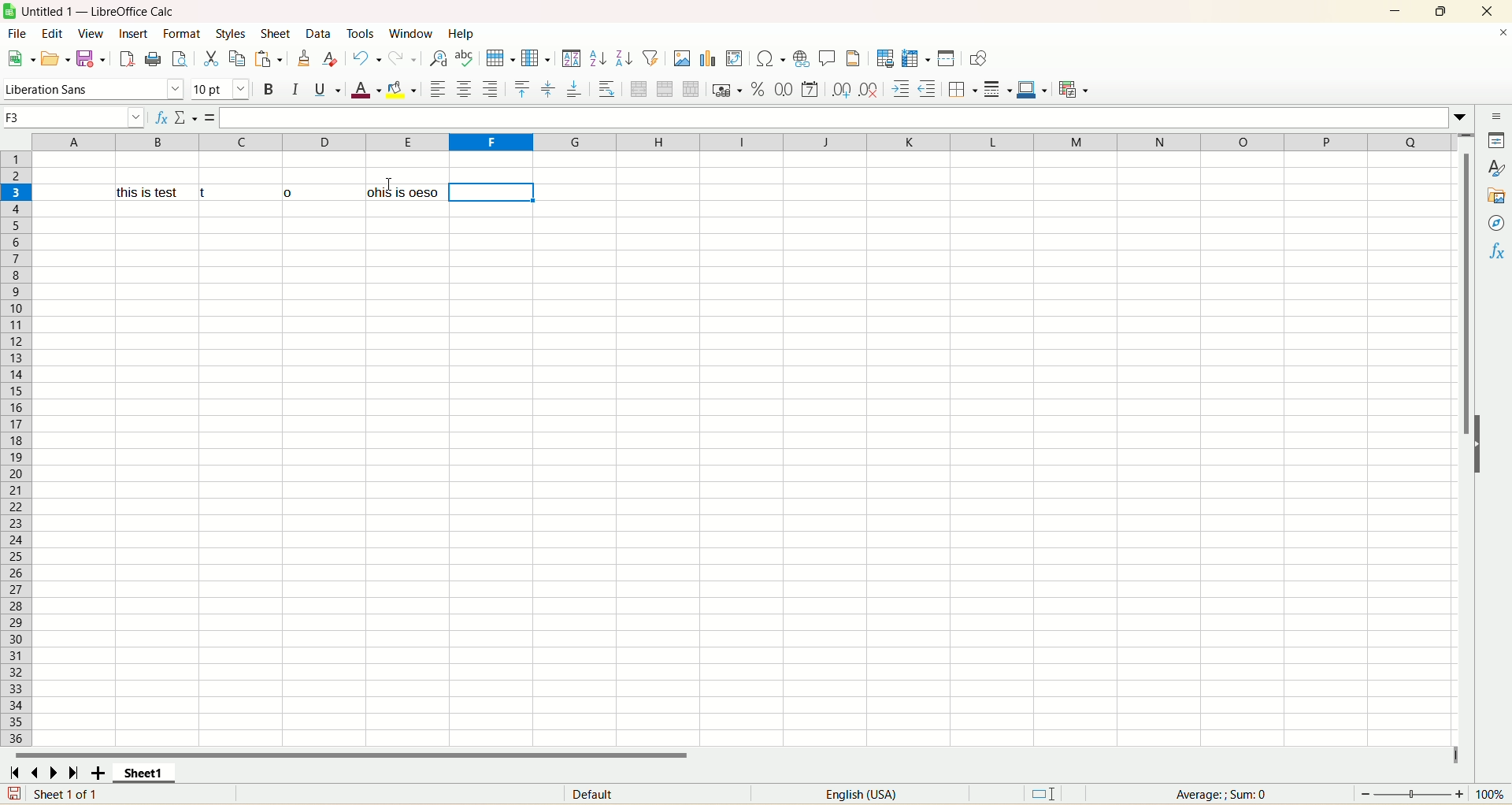  Describe the element at coordinates (40, 770) in the screenshot. I see `scroll to previous sheet` at that location.